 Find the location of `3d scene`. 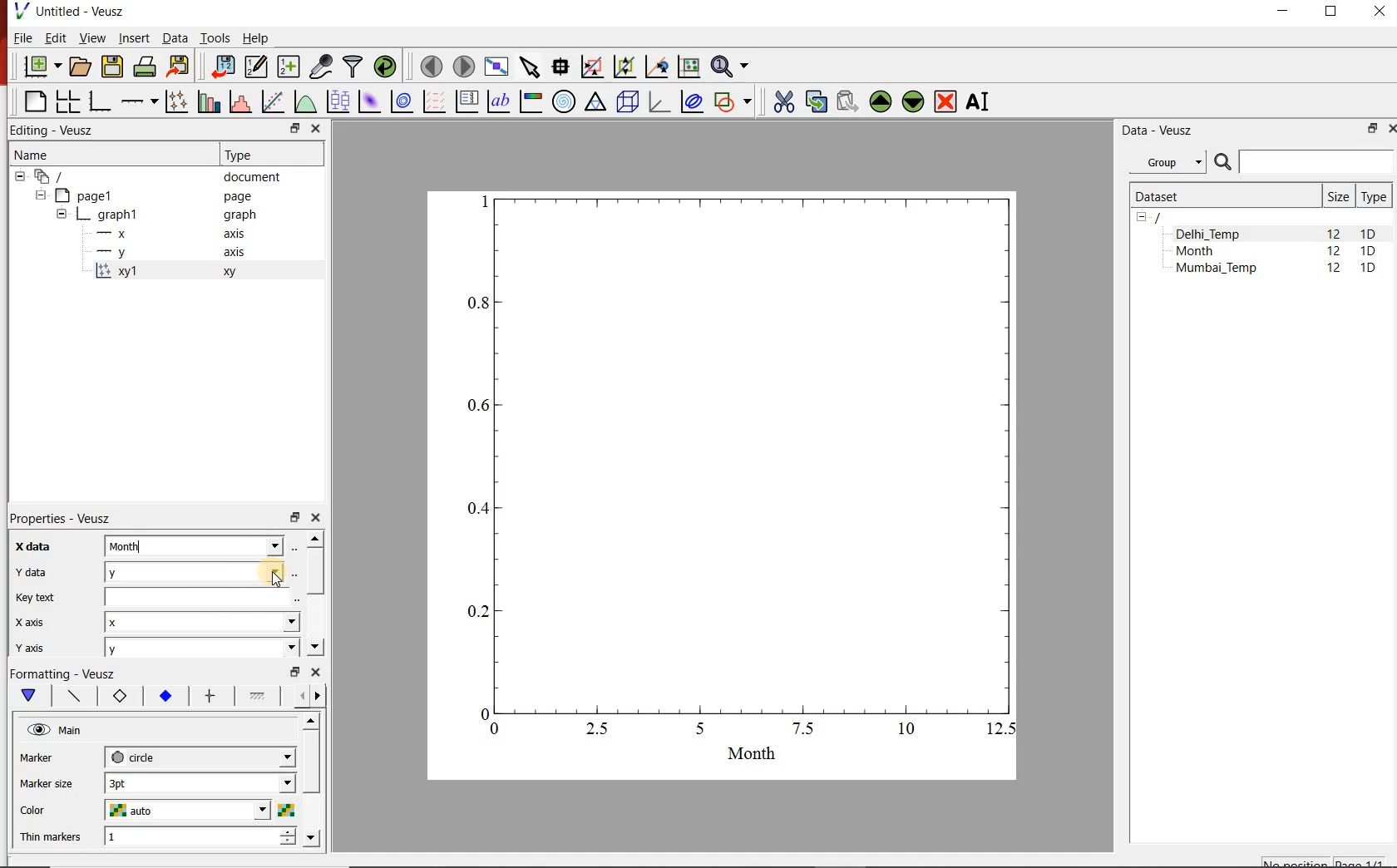

3d scene is located at coordinates (626, 102).